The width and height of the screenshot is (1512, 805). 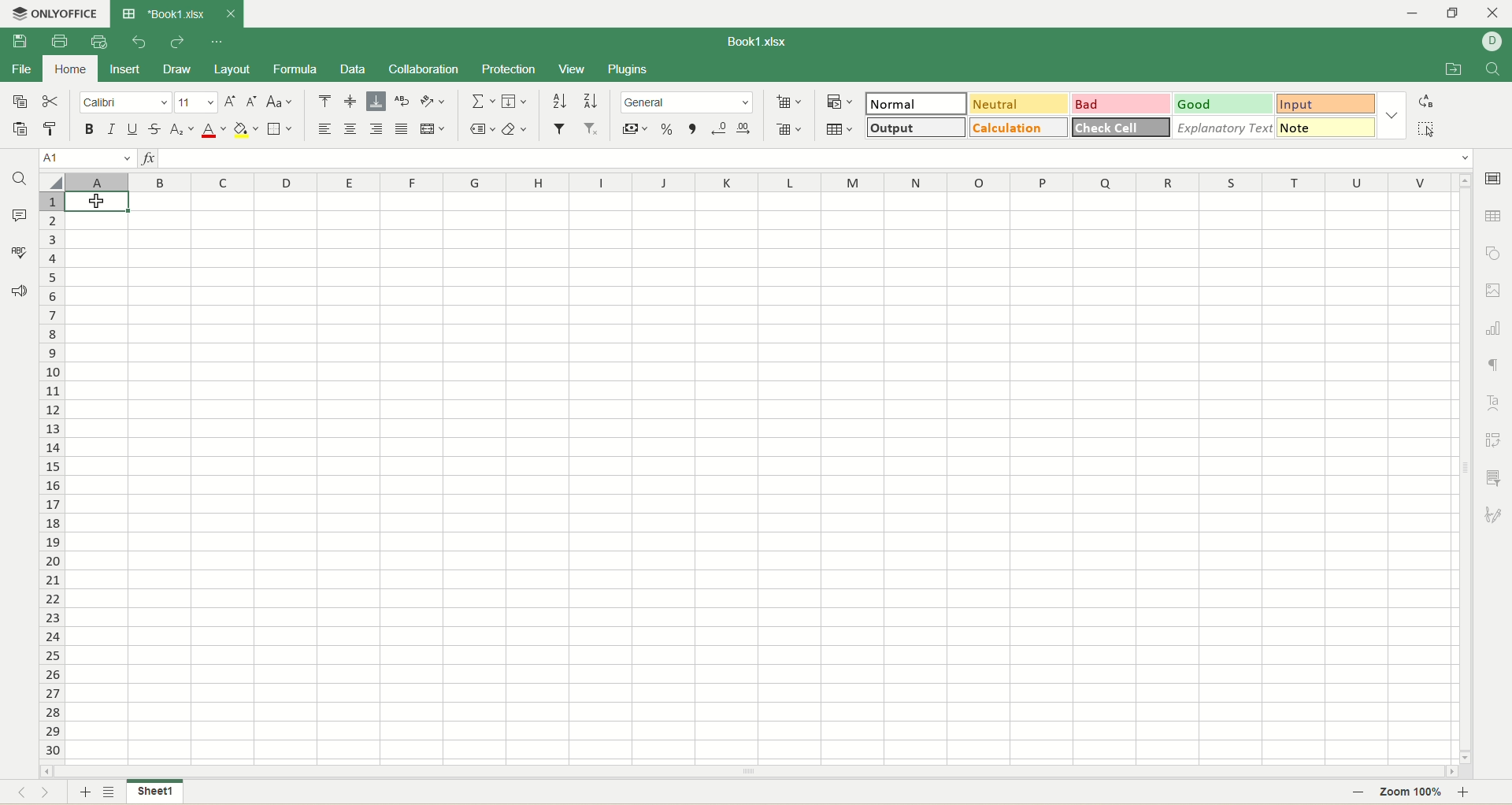 What do you see at coordinates (1425, 102) in the screenshot?
I see `replace` at bounding box center [1425, 102].